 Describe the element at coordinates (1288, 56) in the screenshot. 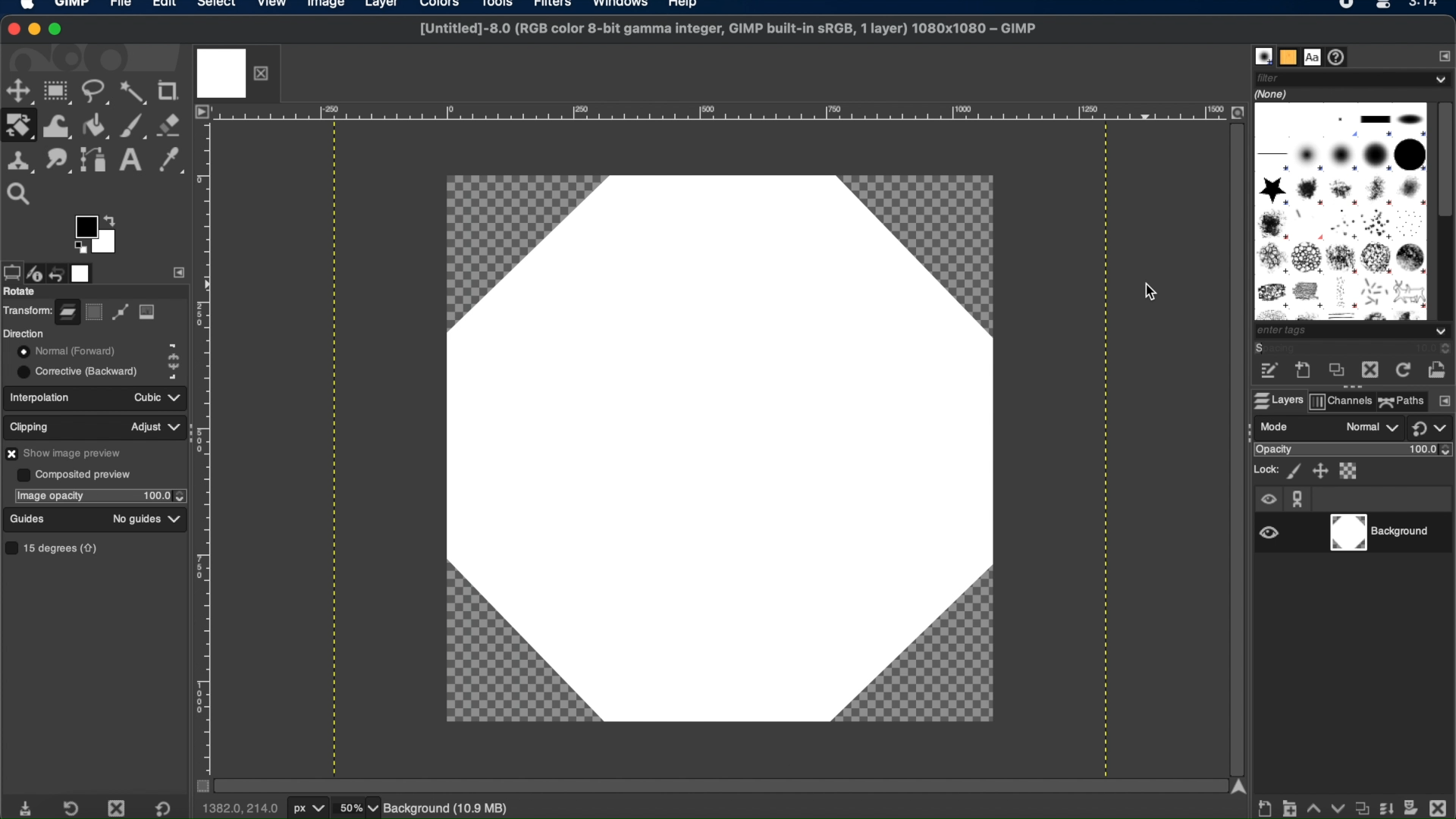

I see `patterns` at that location.